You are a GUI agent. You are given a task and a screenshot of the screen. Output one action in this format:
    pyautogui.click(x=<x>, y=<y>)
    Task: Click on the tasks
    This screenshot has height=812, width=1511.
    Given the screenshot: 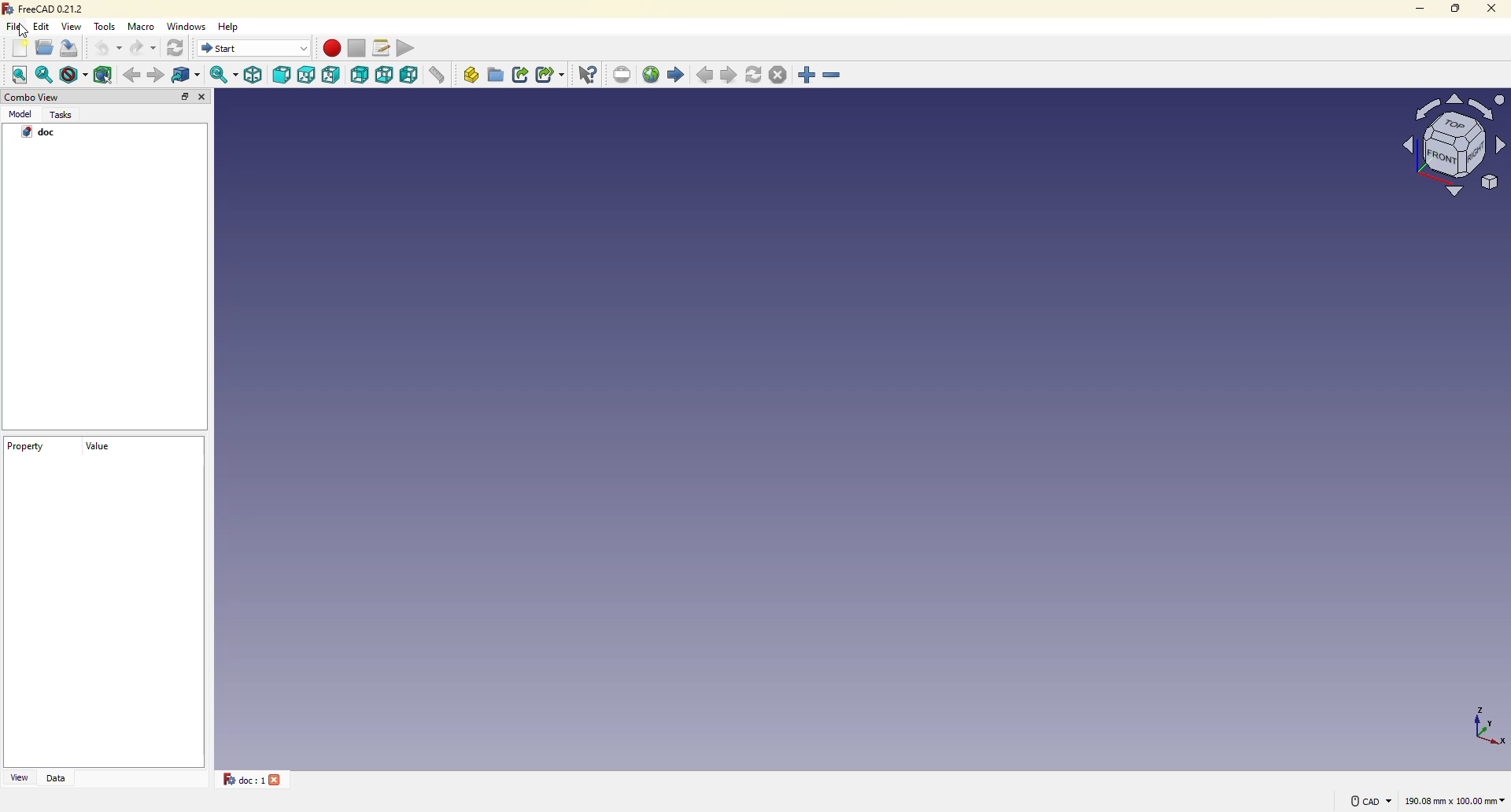 What is the action you would take?
    pyautogui.click(x=64, y=115)
    